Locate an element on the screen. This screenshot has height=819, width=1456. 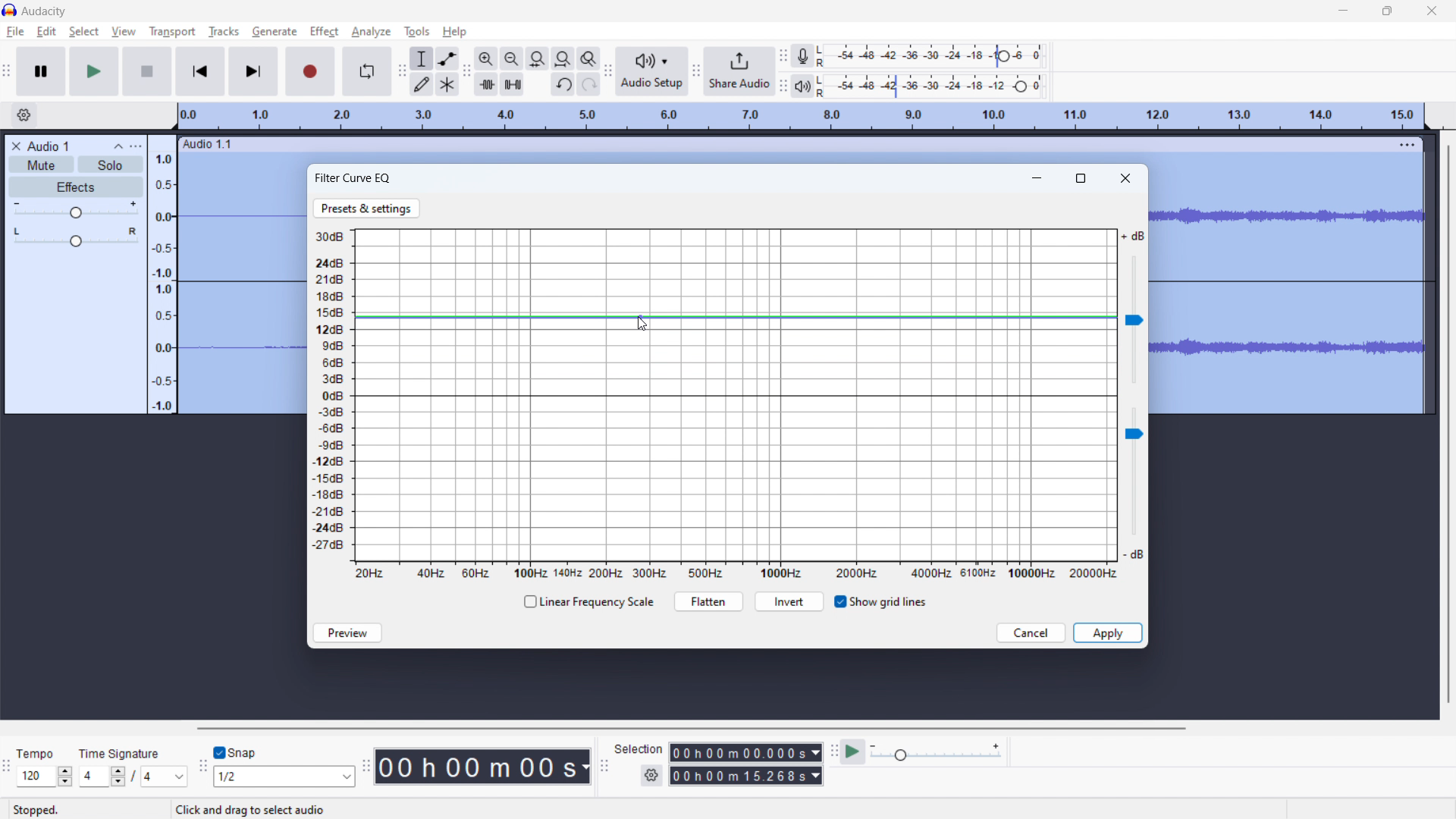
1/2 (select snapping) is located at coordinates (285, 776).